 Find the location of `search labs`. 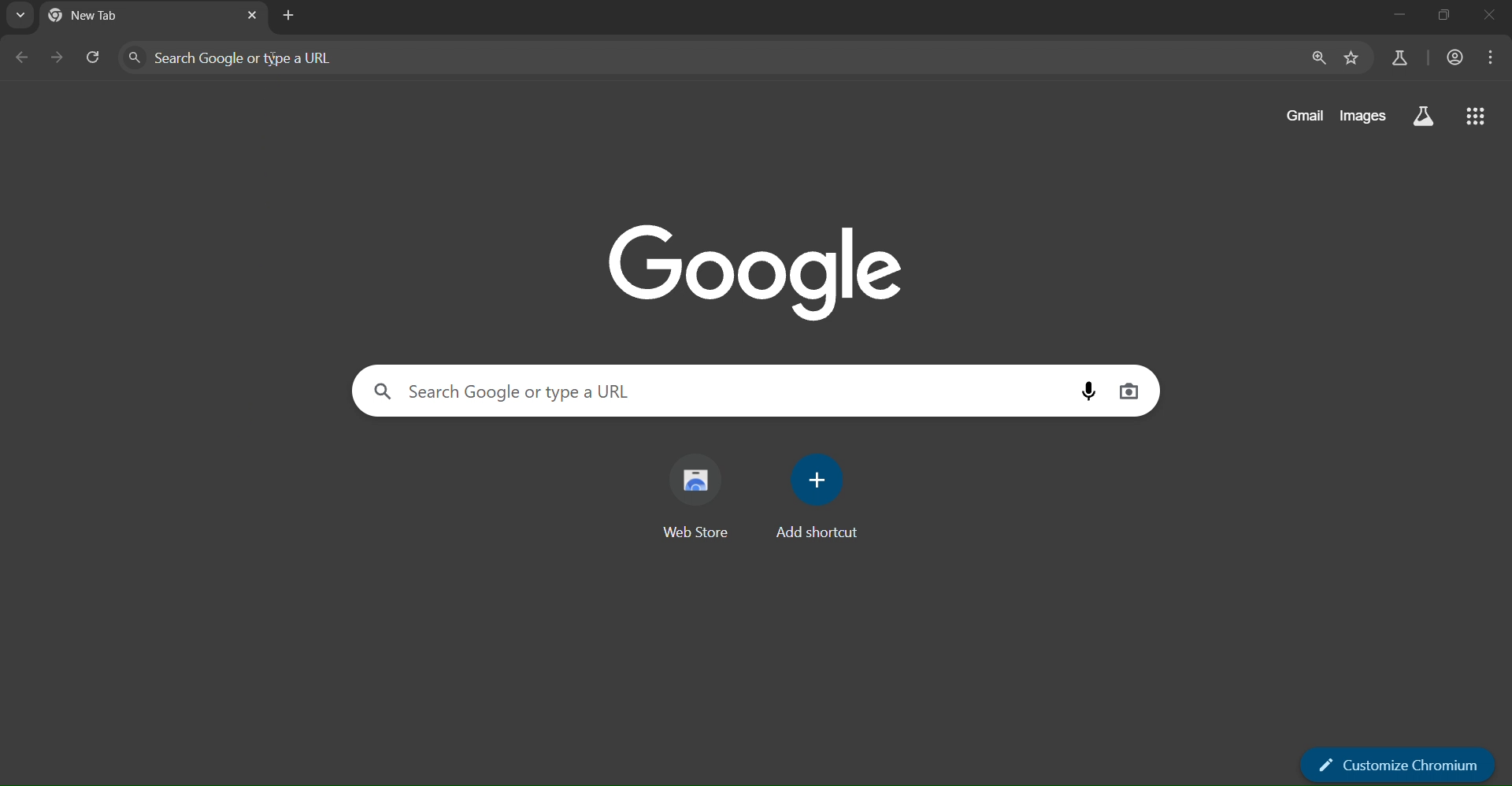

search labs is located at coordinates (1398, 59).